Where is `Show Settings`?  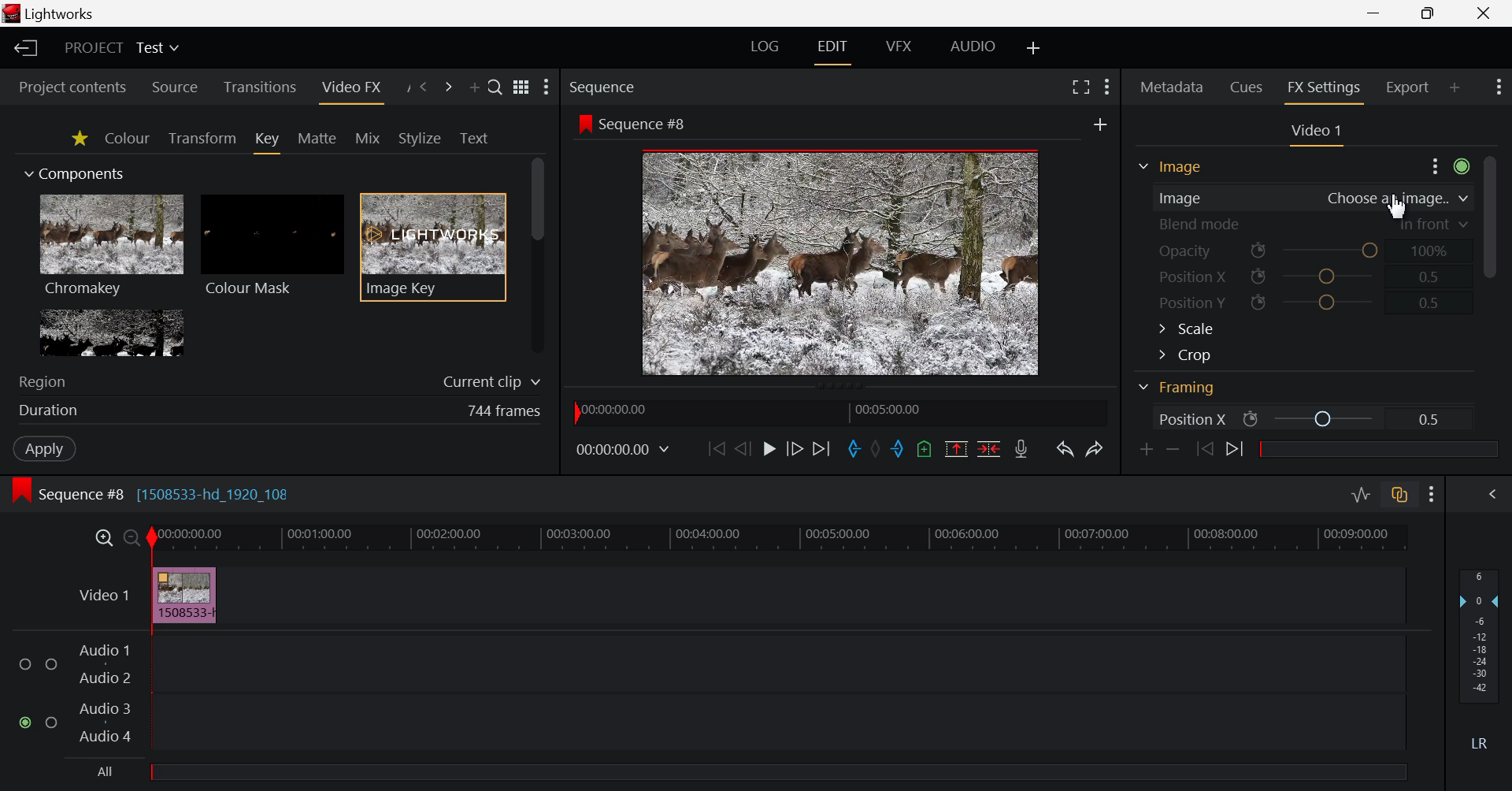
Show Settings is located at coordinates (1106, 85).